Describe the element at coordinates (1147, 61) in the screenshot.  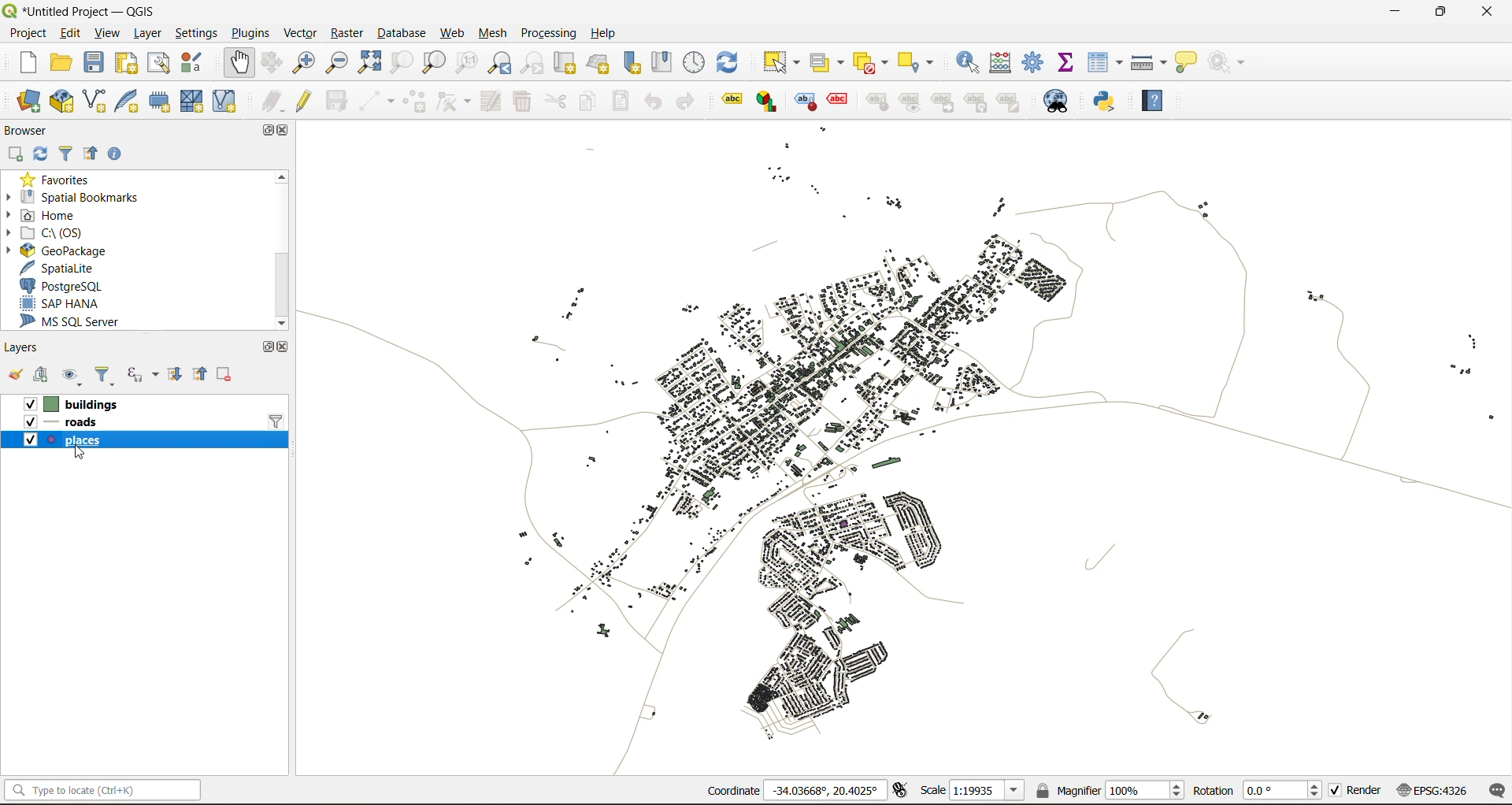
I see `measure line` at that location.